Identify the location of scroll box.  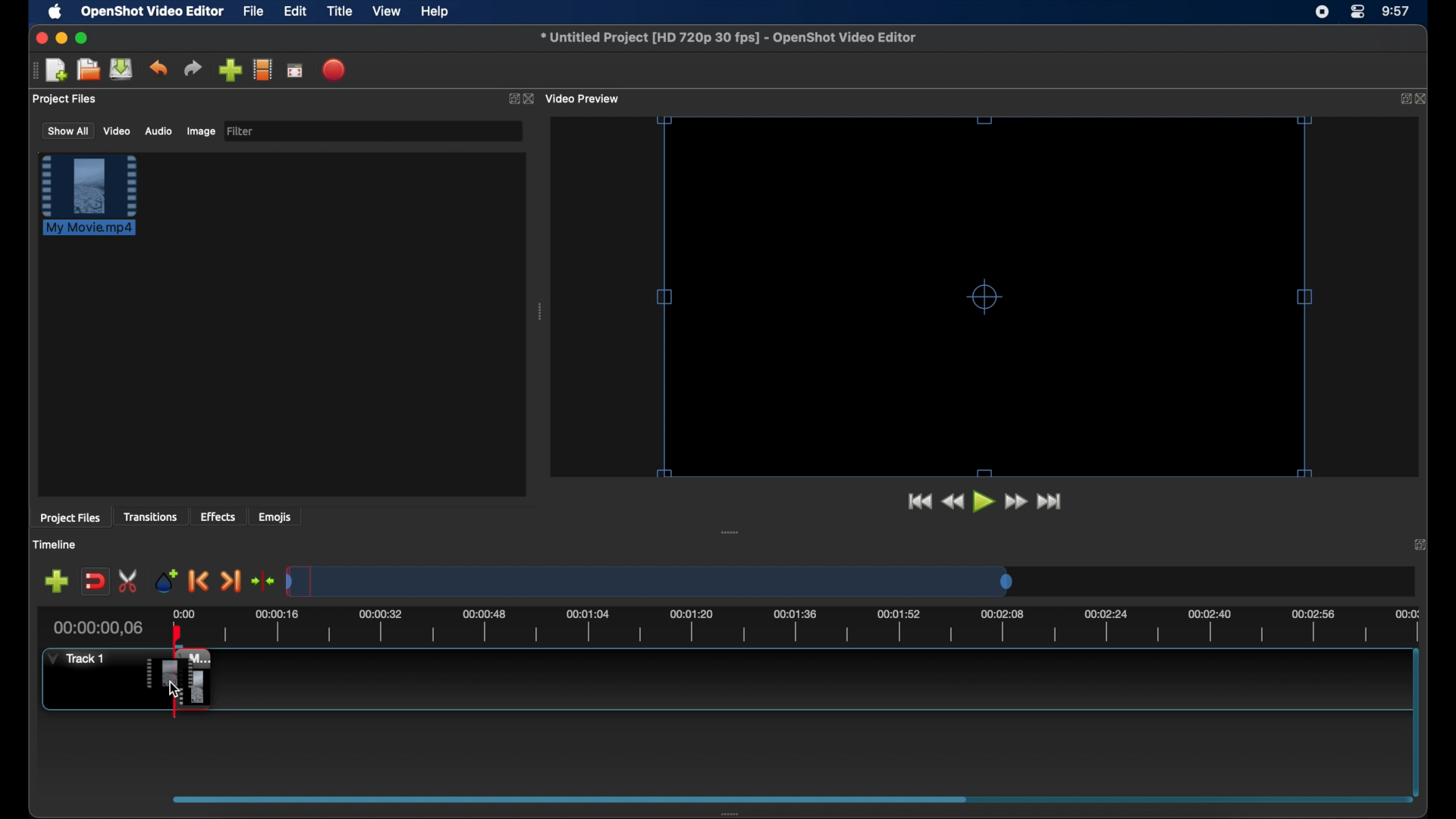
(564, 799).